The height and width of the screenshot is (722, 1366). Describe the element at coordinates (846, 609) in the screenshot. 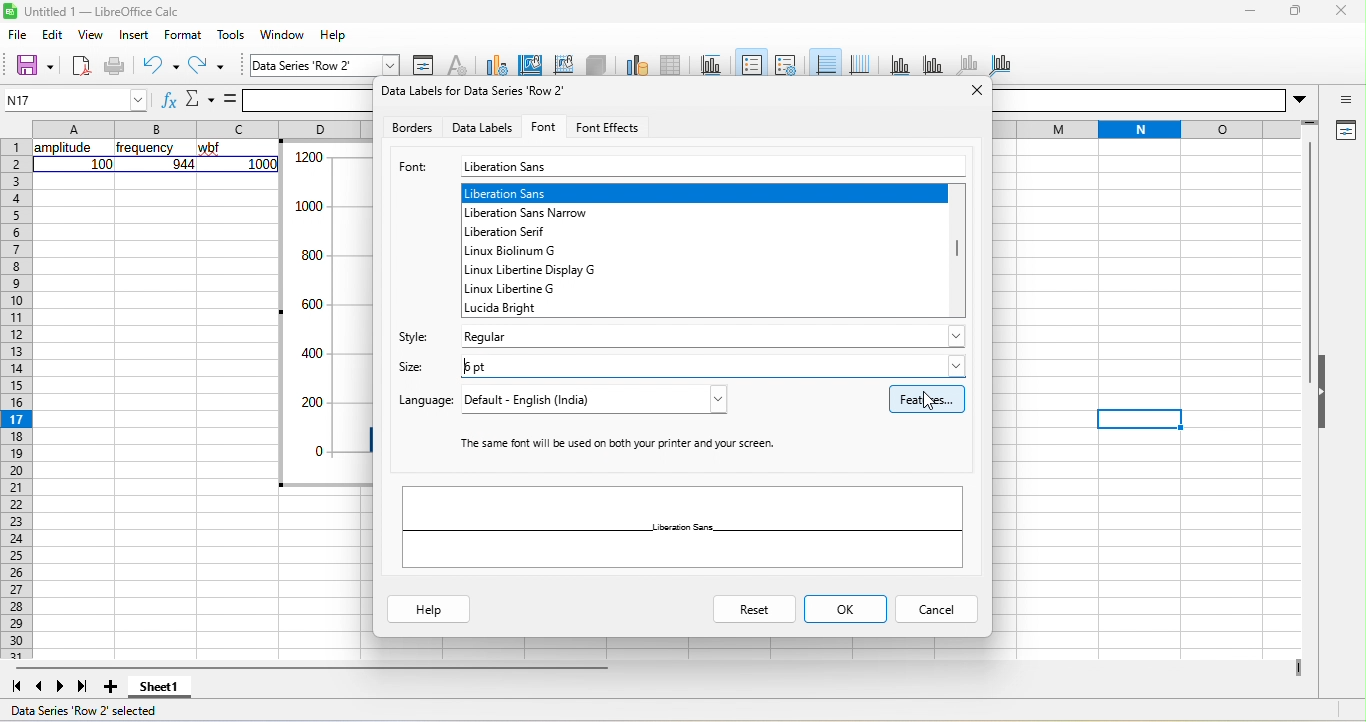

I see `ok` at that location.